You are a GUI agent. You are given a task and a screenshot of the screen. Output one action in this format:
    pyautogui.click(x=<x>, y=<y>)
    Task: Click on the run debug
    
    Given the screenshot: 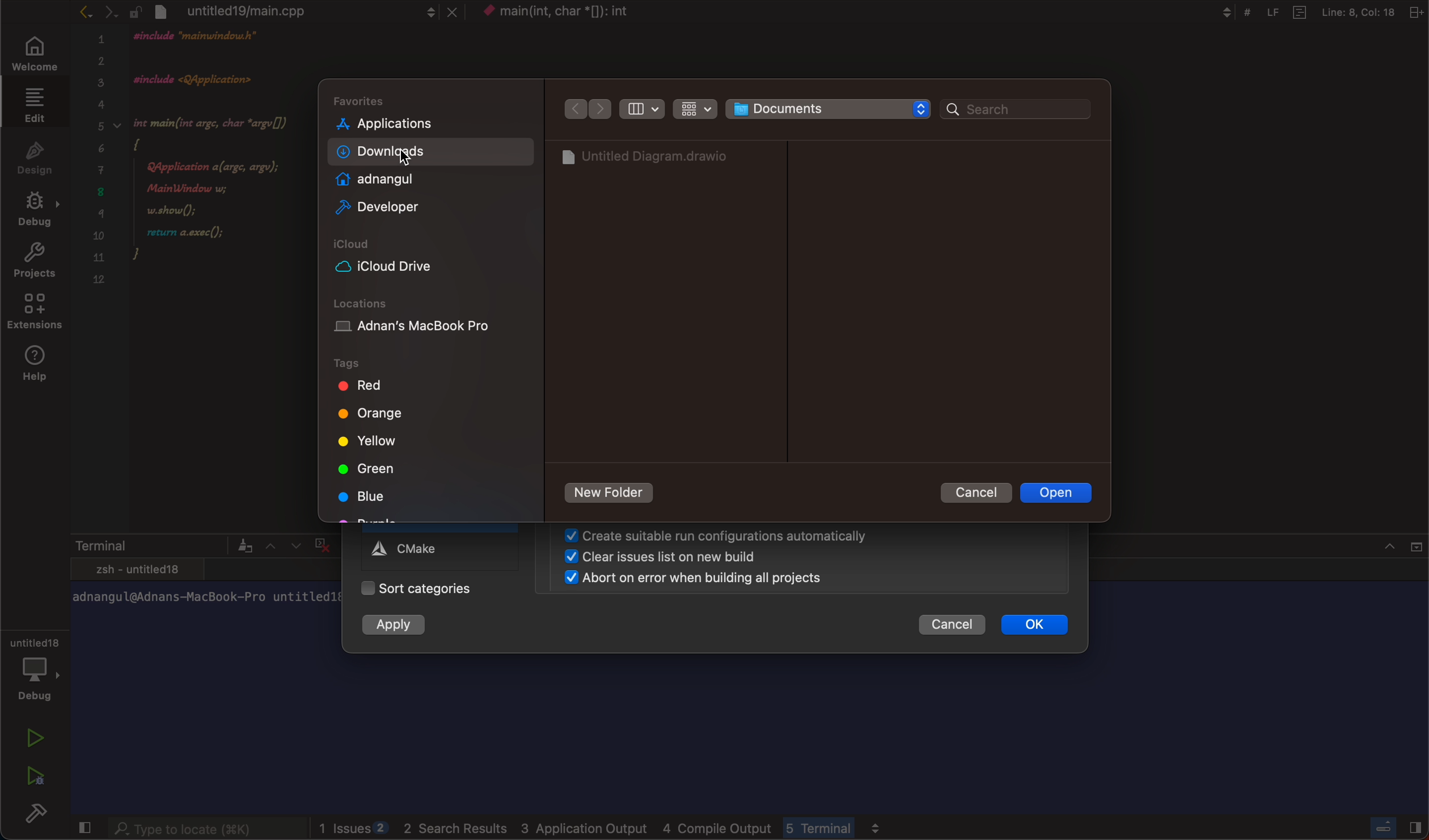 What is the action you would take?
    pyautogui.click(x=33, y=773)
    